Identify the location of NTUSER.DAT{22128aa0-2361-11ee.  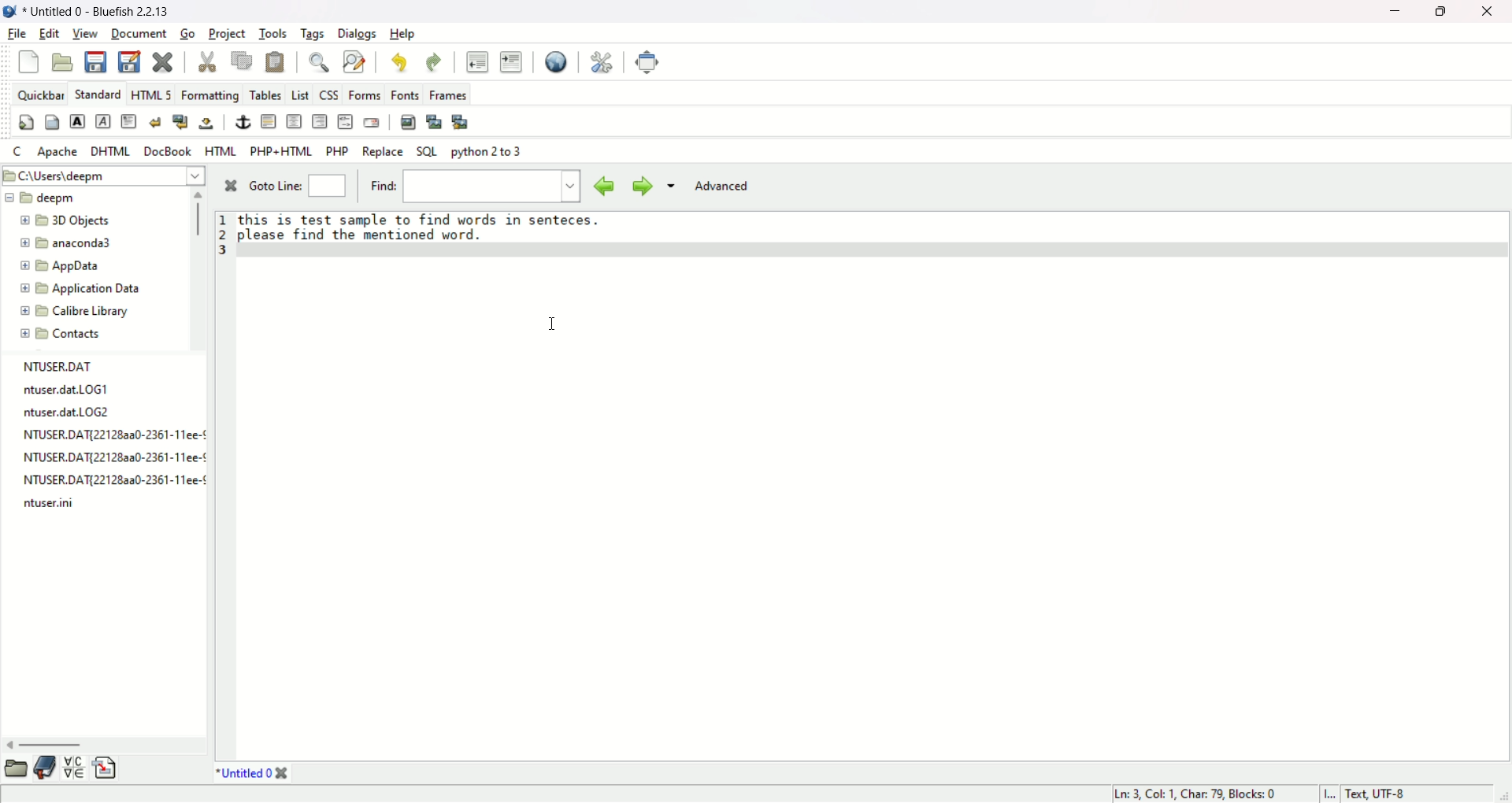
(99, 435).